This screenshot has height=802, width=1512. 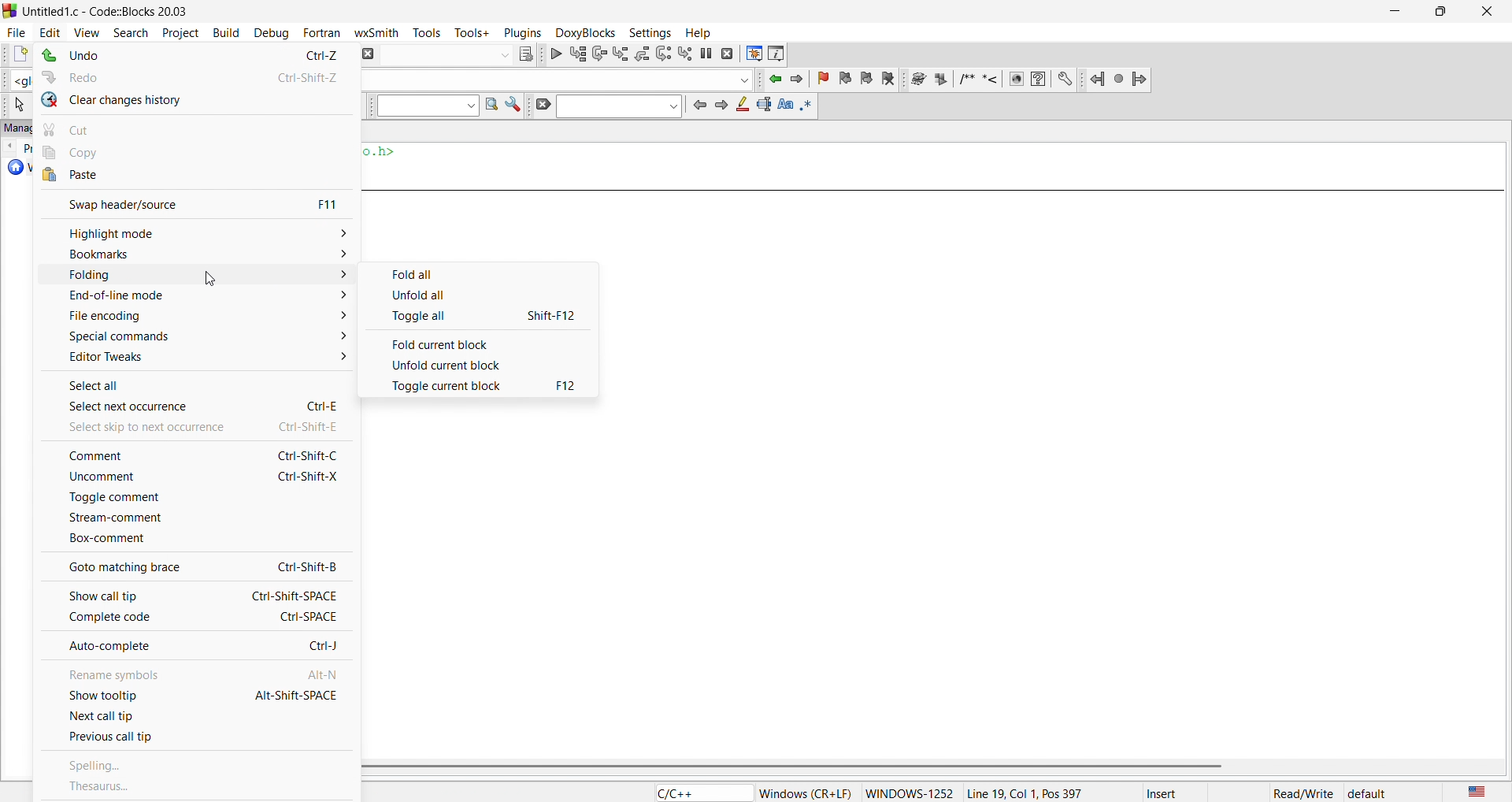 What do you see at coordinates (9, 9) in the screenshot?
I see `Code:Blocks` at bounding box center [9, 9].